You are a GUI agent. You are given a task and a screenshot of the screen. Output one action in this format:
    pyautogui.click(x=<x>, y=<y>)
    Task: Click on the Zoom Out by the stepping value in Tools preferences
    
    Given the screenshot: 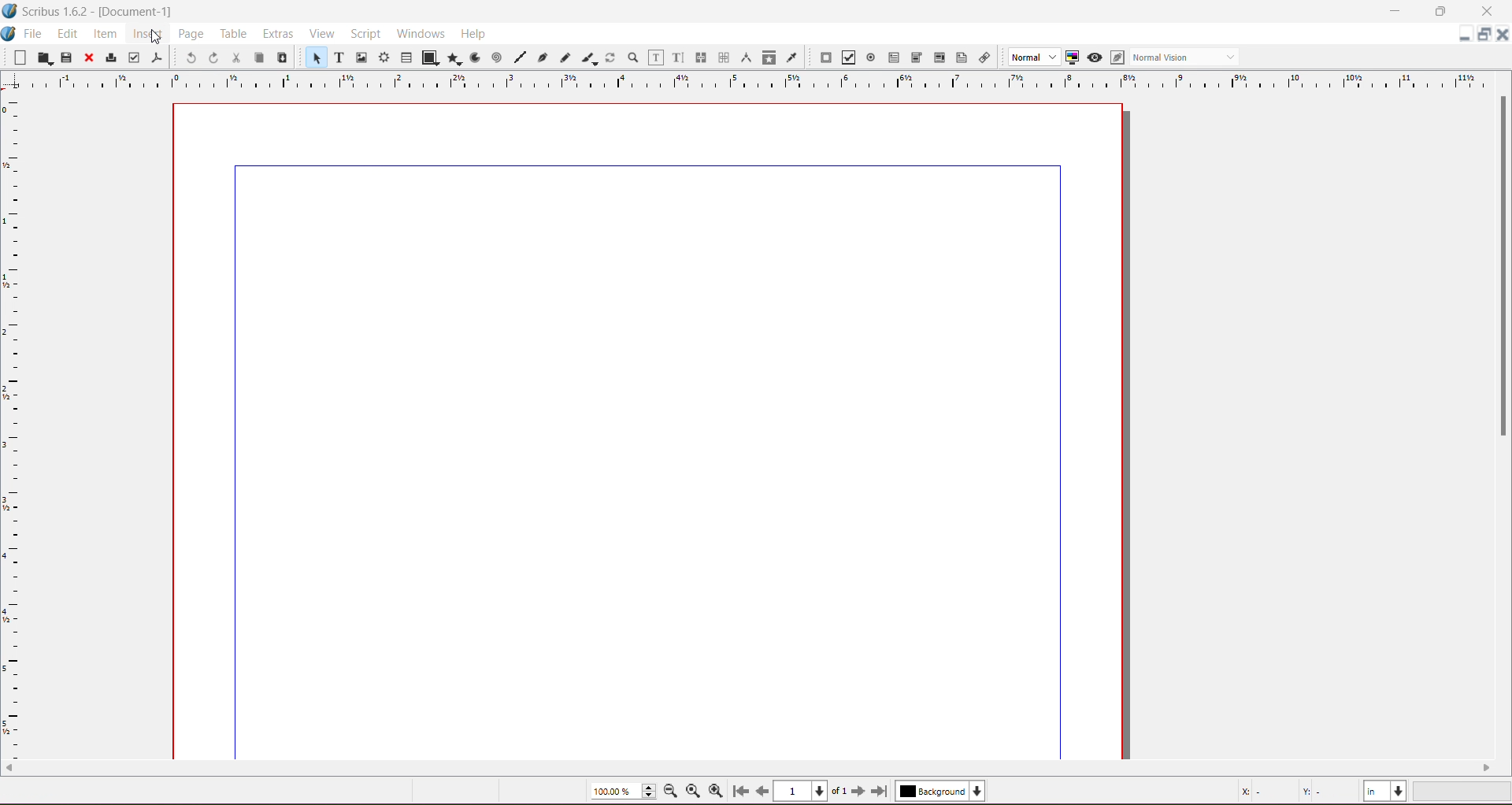 What is the action you would take?
    pyautogui.click(x=672, y=791)
    